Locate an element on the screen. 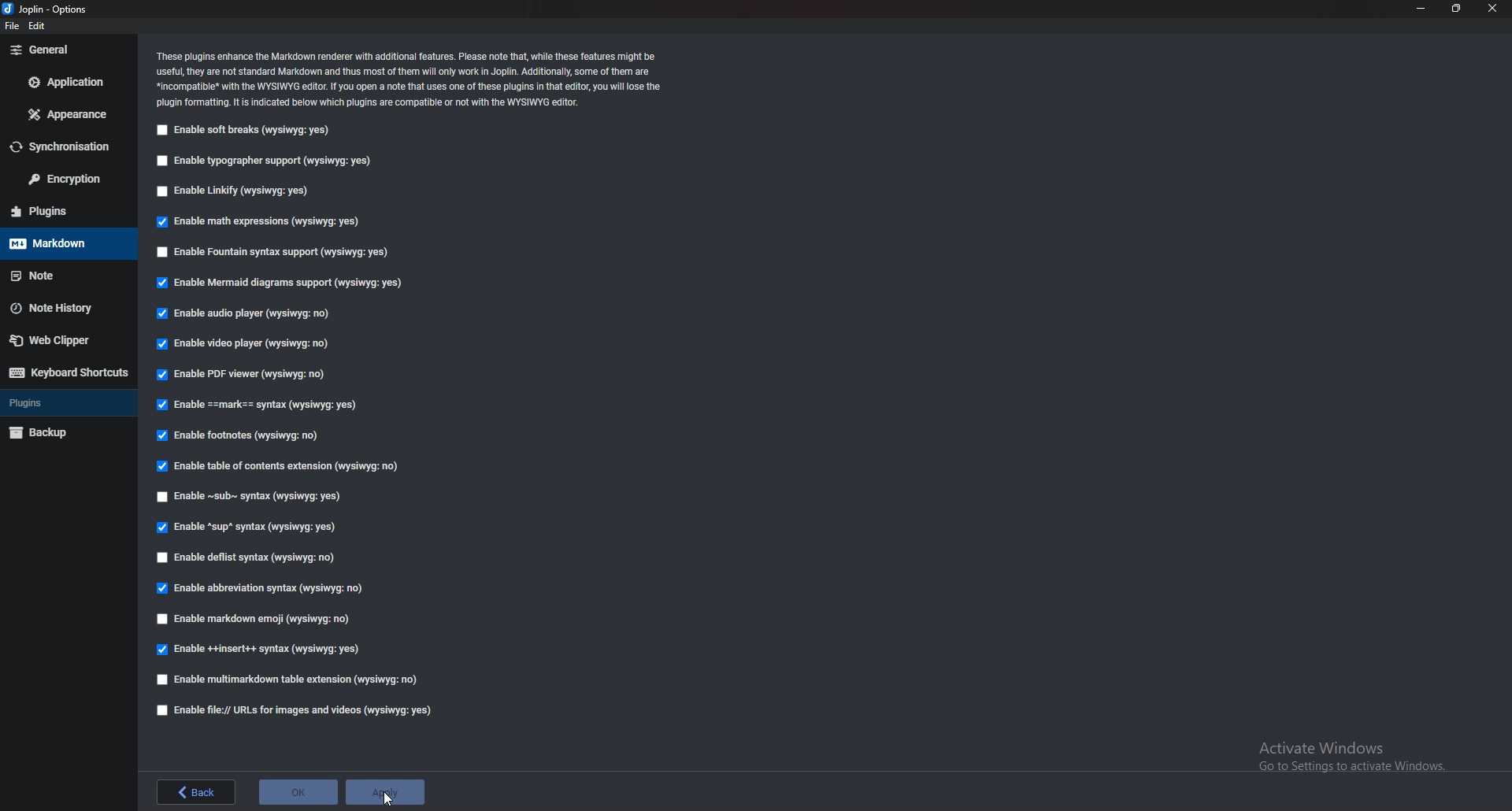 The height and width of the screenshot is (811, 1512). enable fountain syntax support is located at coordinates (271, 250).